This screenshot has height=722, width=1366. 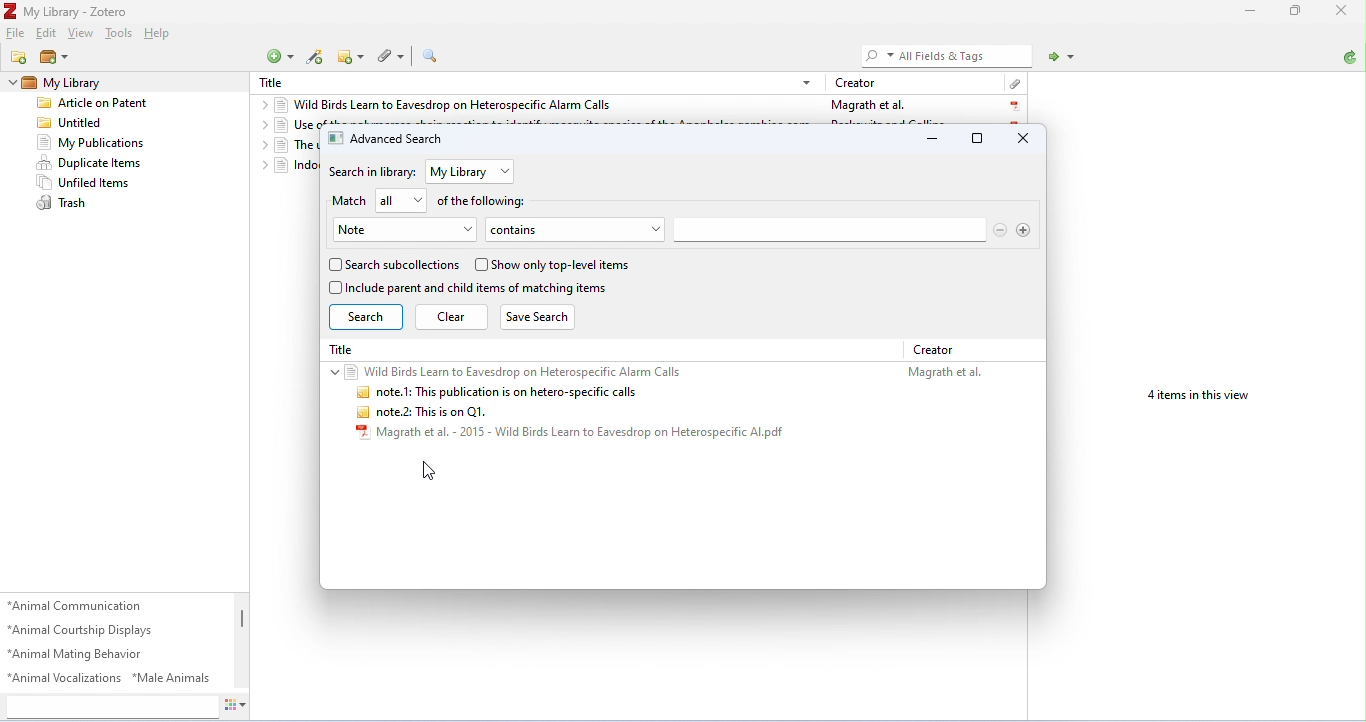 What do you see at coordinates (171, 677) in the screenshot?
I see `male animals` at bounding box center [171, 677].